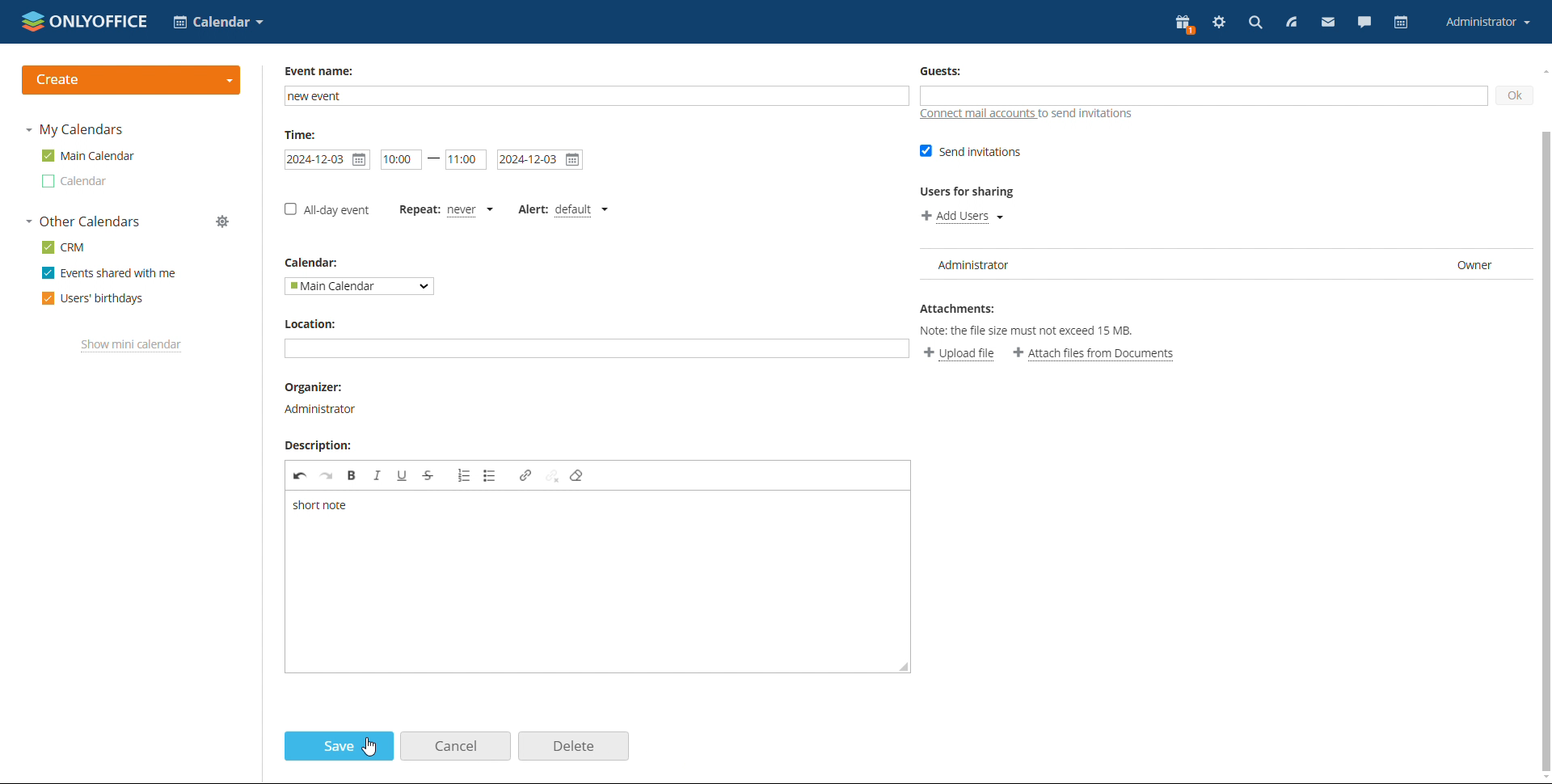 This screenshot has height=784, width=1552. I want to click on start date, so click(329, 158).